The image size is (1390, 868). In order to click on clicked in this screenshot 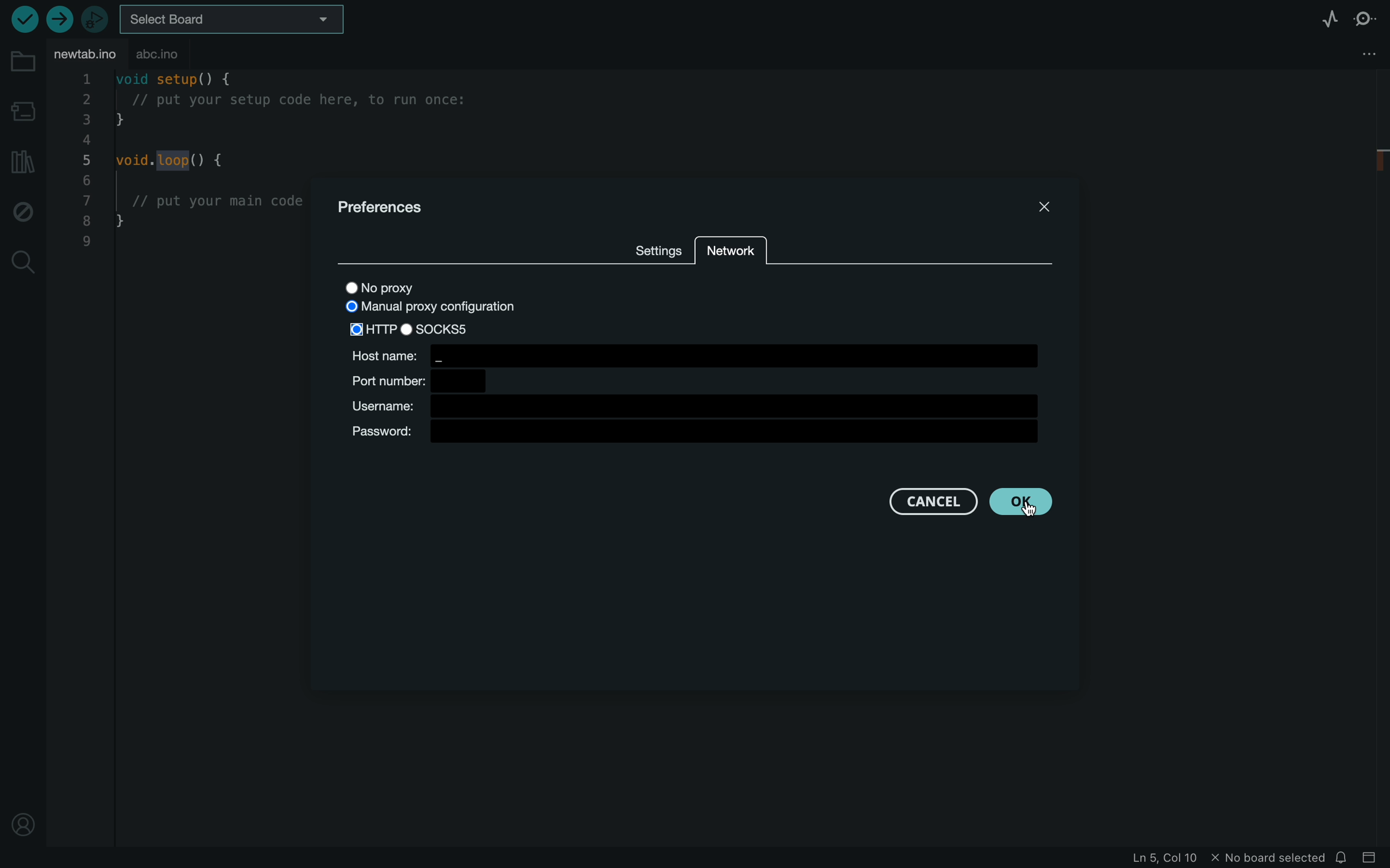, I will do `click(1023, 502)`.